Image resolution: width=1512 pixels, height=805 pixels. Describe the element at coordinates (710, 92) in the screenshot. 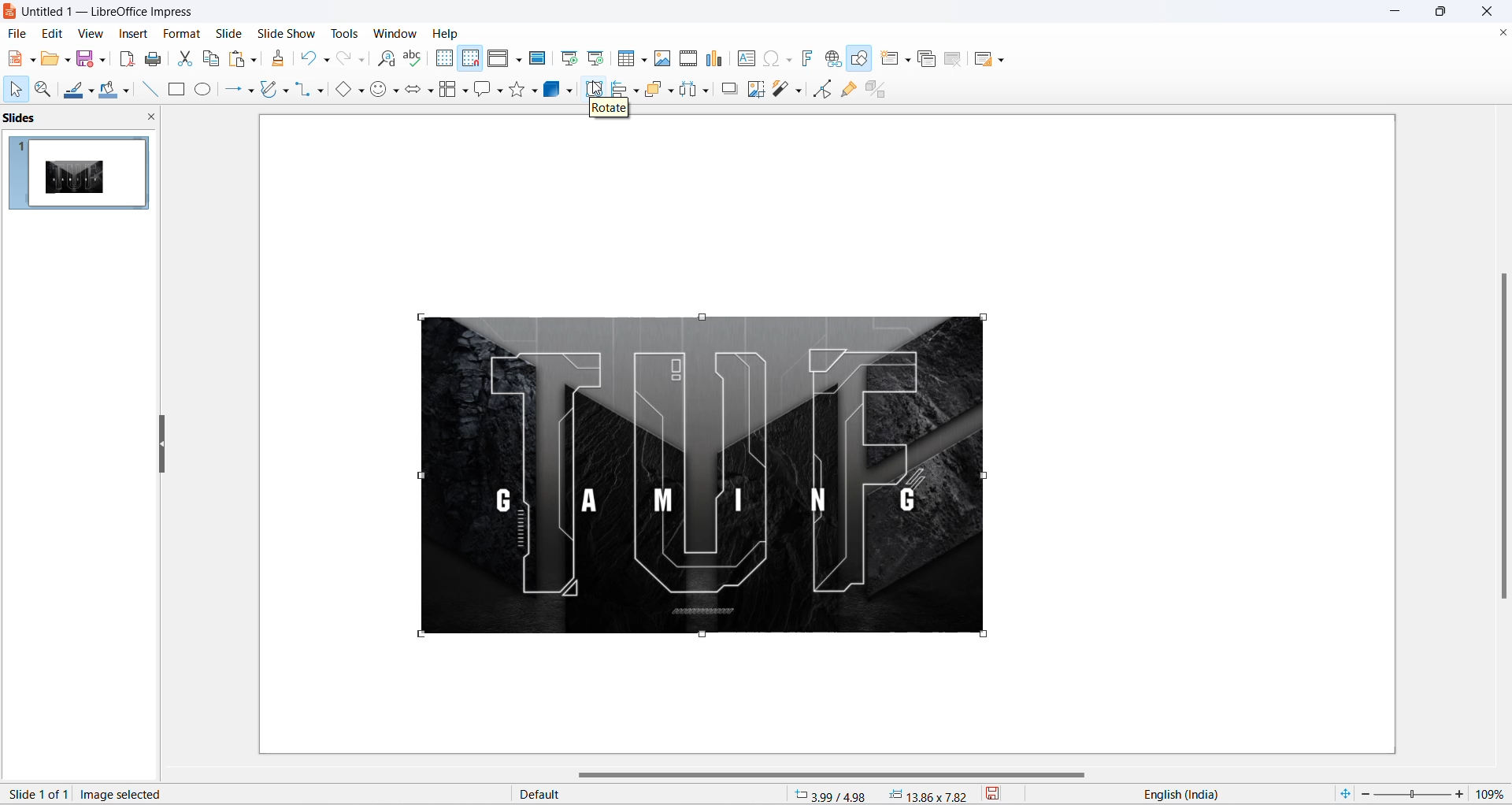

I see `distribute object` at that location.